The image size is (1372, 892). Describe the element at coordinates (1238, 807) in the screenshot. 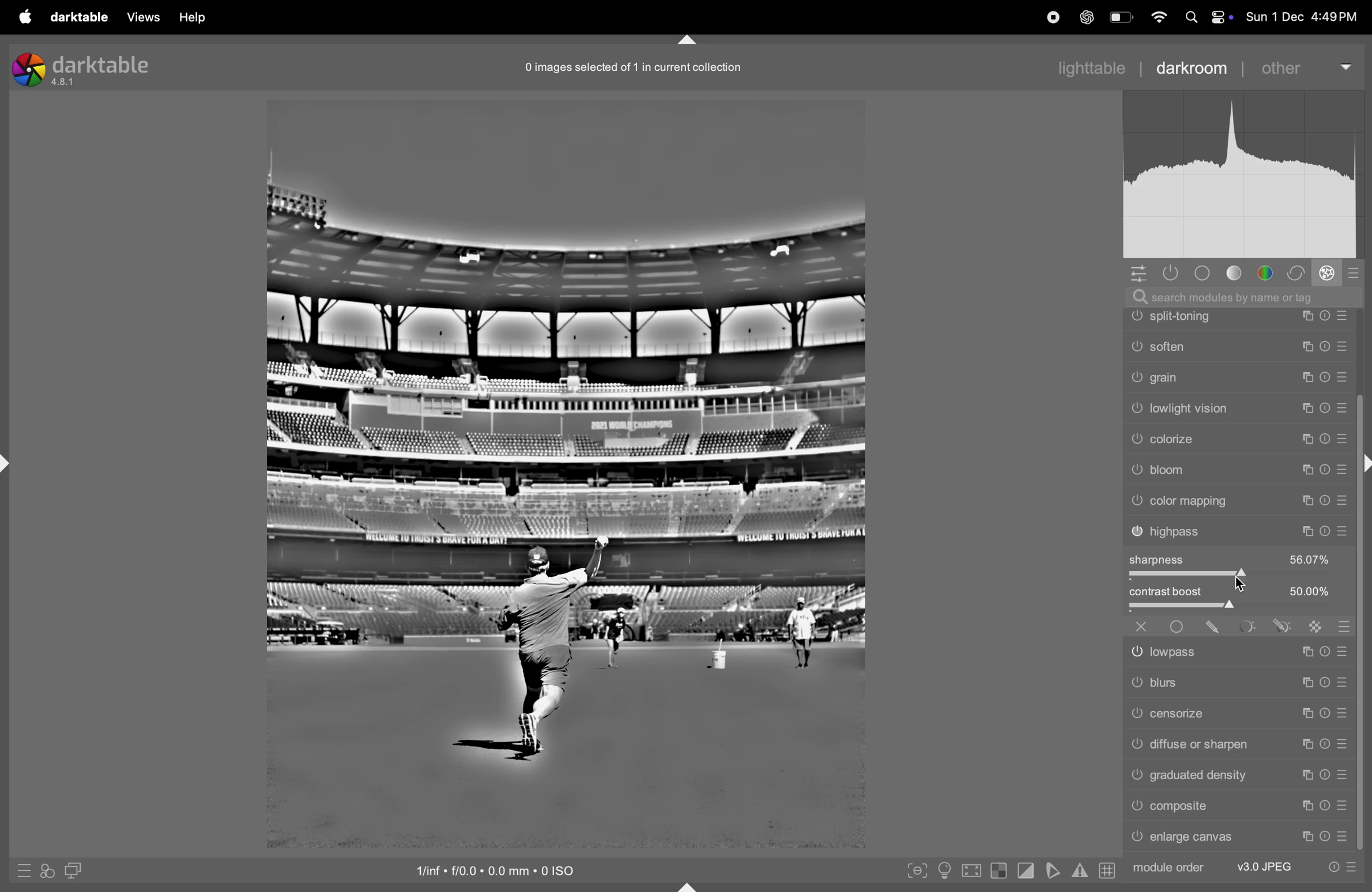

I see `compatible` at that location.